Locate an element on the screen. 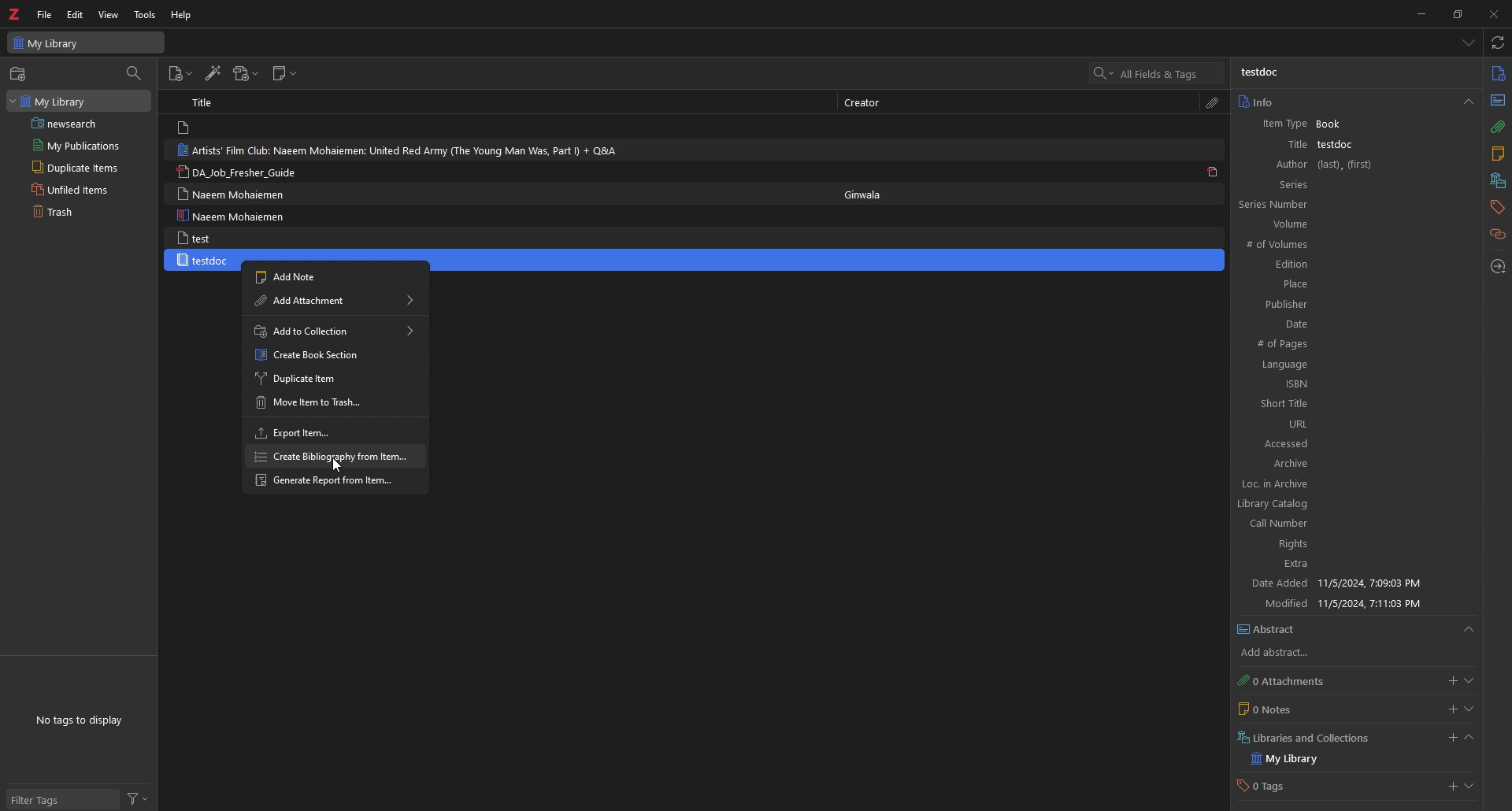 The height and width of the screenshot is (811, 1512). DA_Job_Fresher_Guide is located at coordinates (244, 173).